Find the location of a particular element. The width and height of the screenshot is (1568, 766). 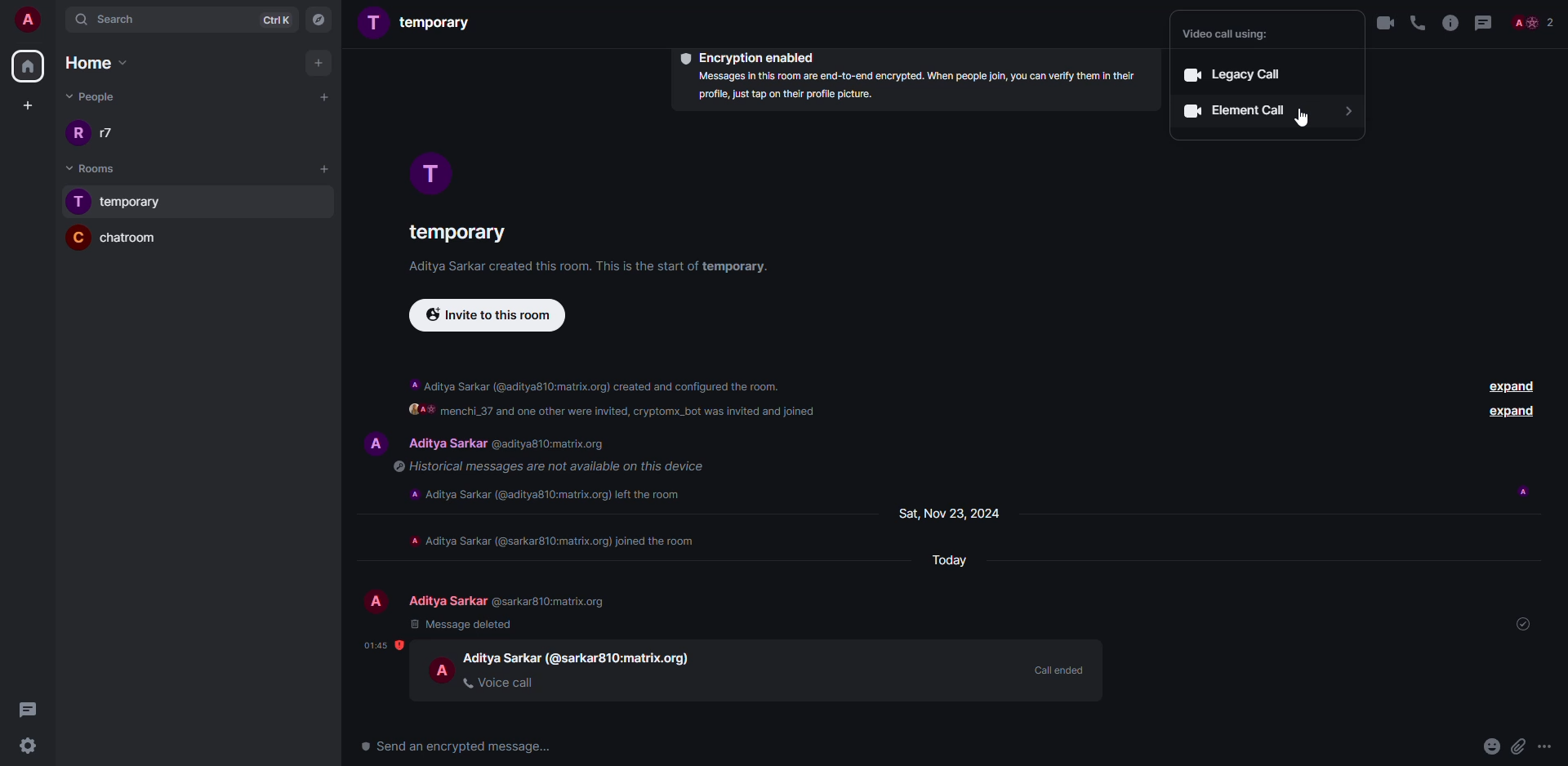

room is located at coordinates (454, 236).